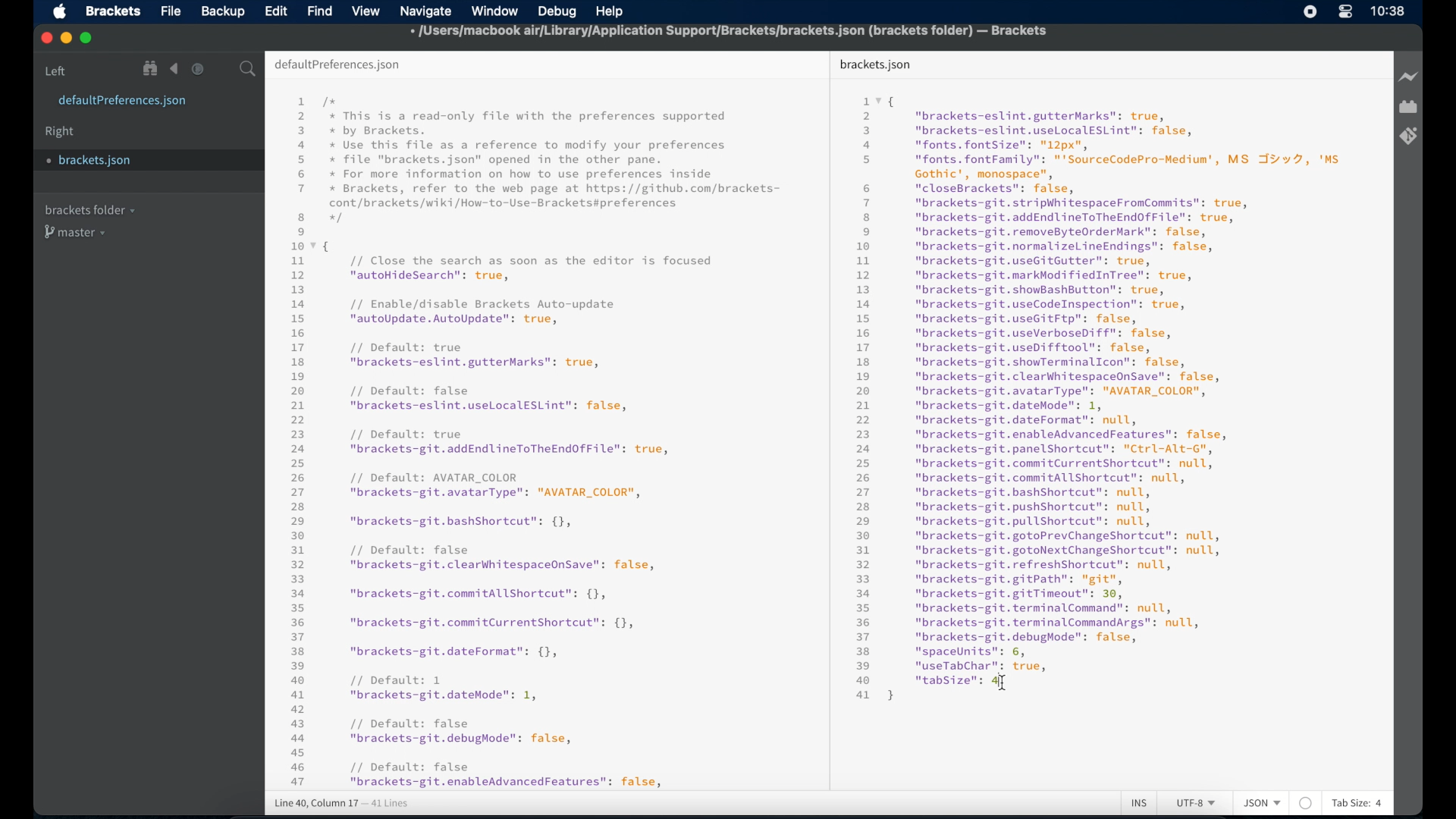  What do you see at coordinates (56, 71) in the screenshot?
I see `left` at bounding box center [56, 71].